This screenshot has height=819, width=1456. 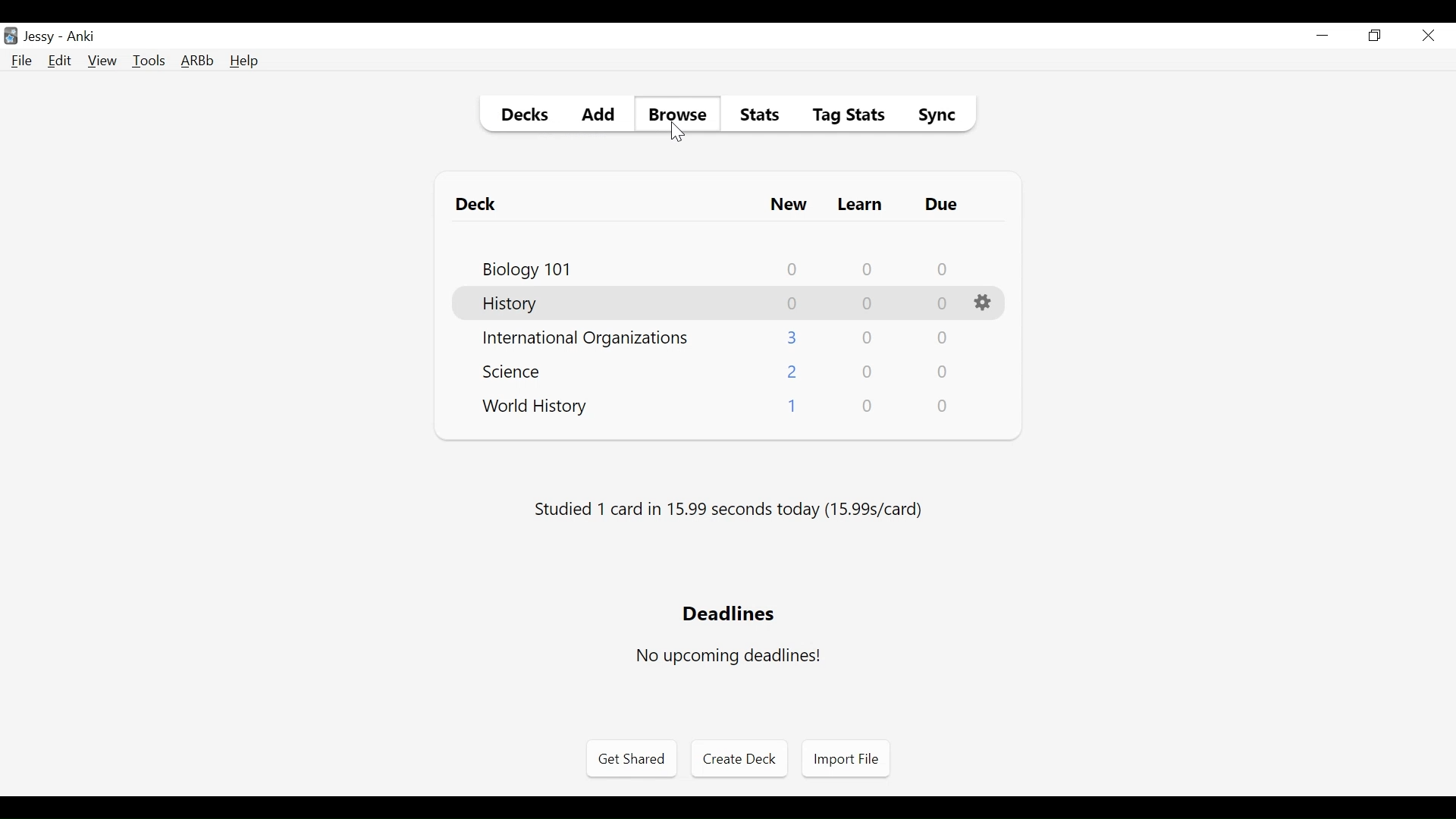 What do you see at coordinates (39, 37) in the screenshot?
I see `User Name` at bounding box center [39, 37].